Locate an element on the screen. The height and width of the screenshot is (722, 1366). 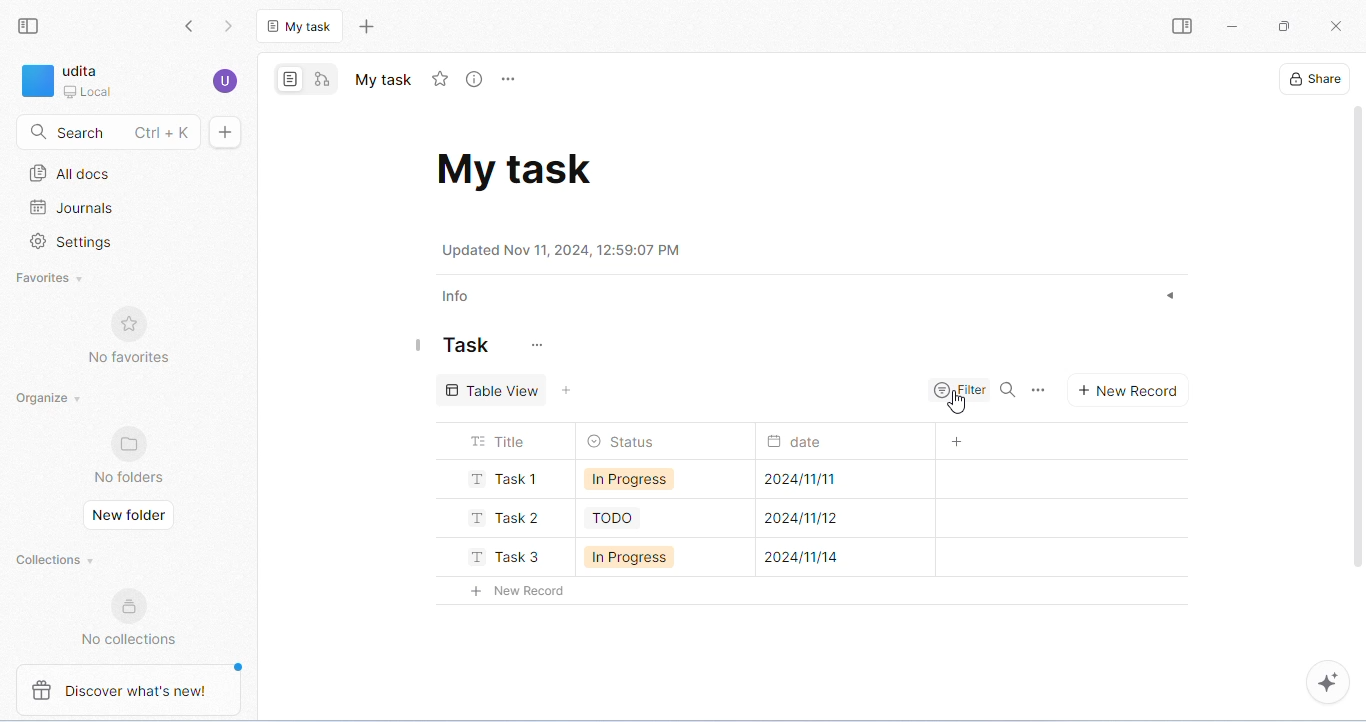
table view is located at coordinates (494, 388).